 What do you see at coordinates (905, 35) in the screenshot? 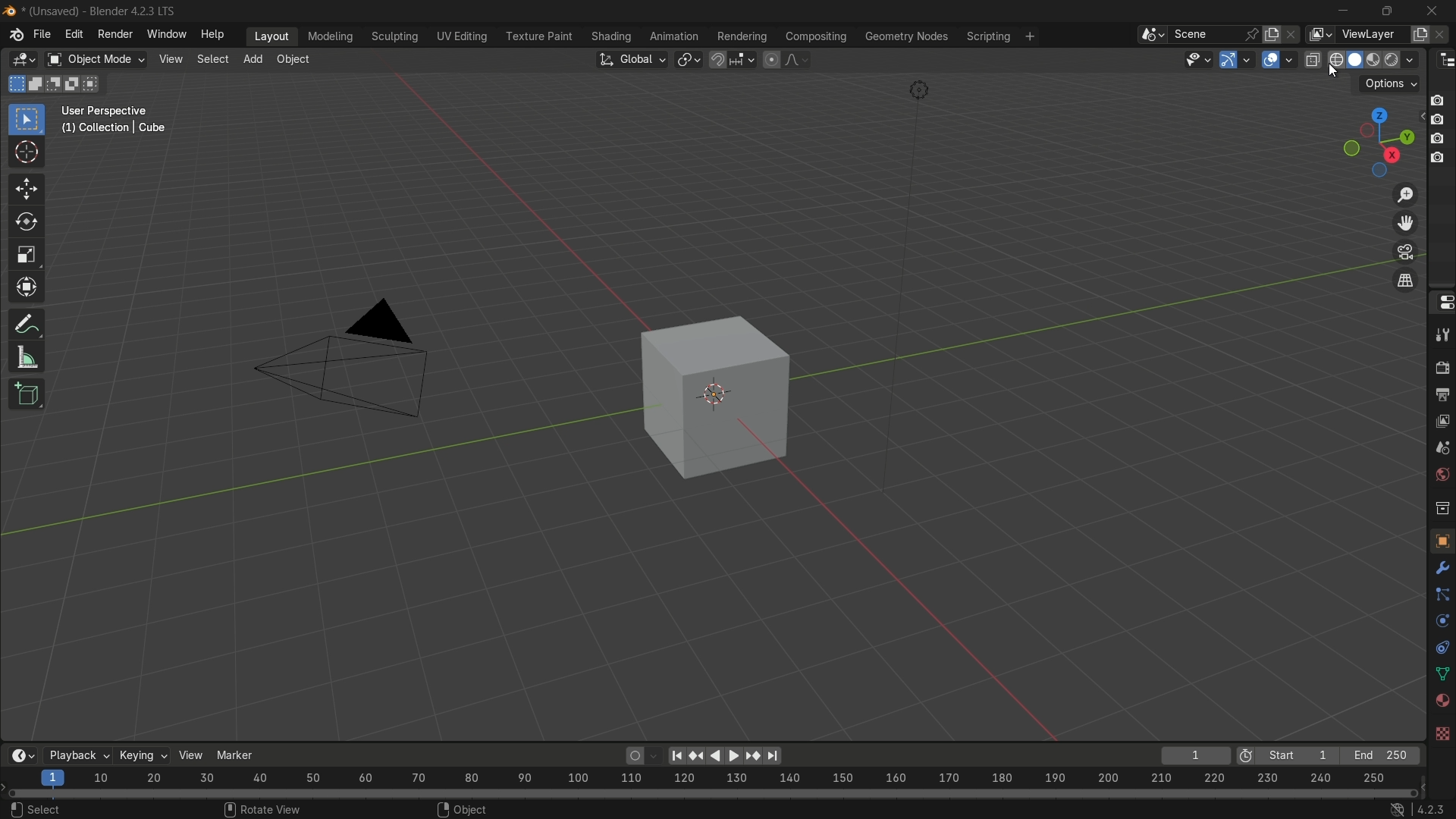
I see `geometry nodes menu` at bounding box center [905, 35].